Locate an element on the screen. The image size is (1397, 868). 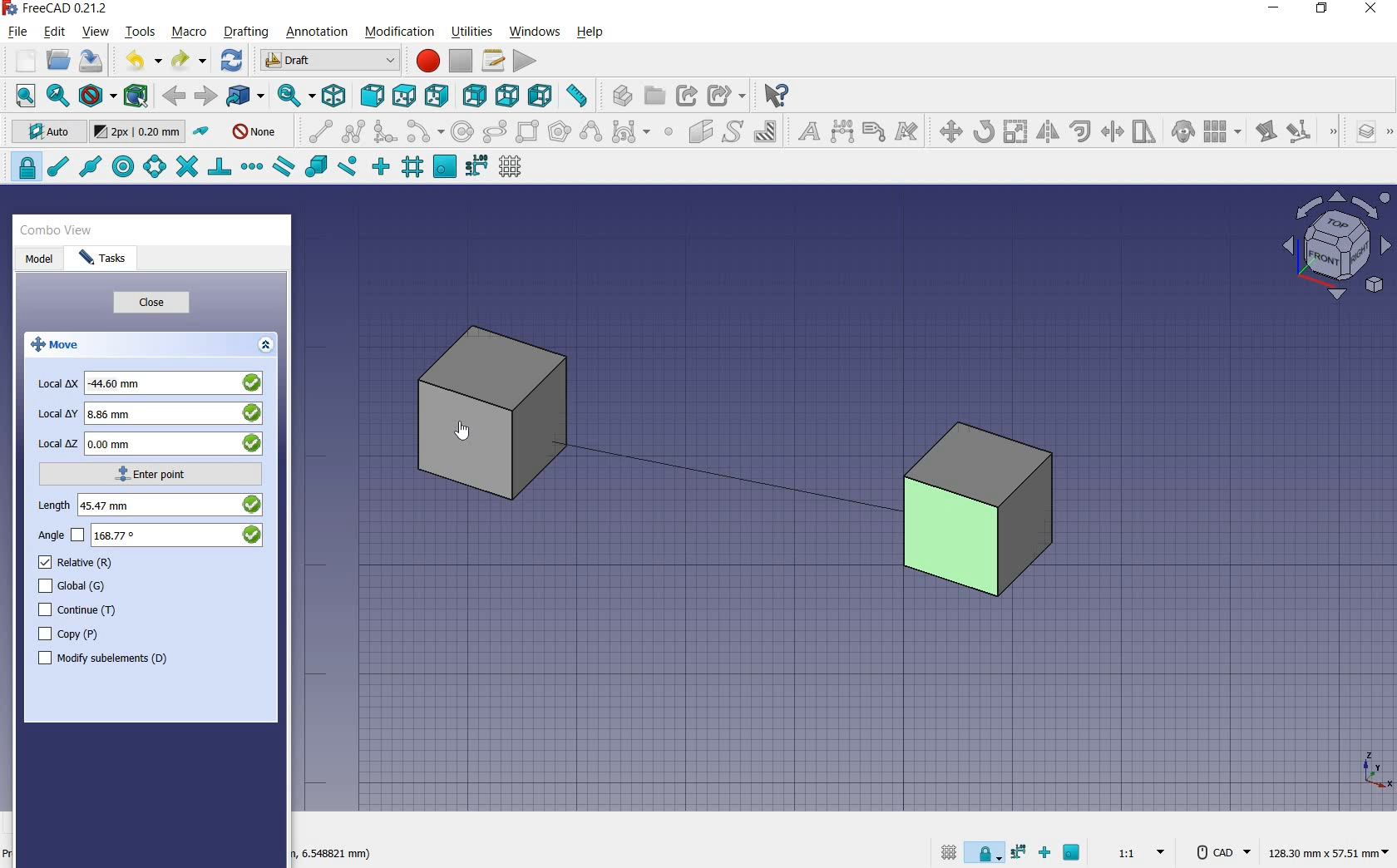
switch between workbenches is located at coordinates (328, 62).